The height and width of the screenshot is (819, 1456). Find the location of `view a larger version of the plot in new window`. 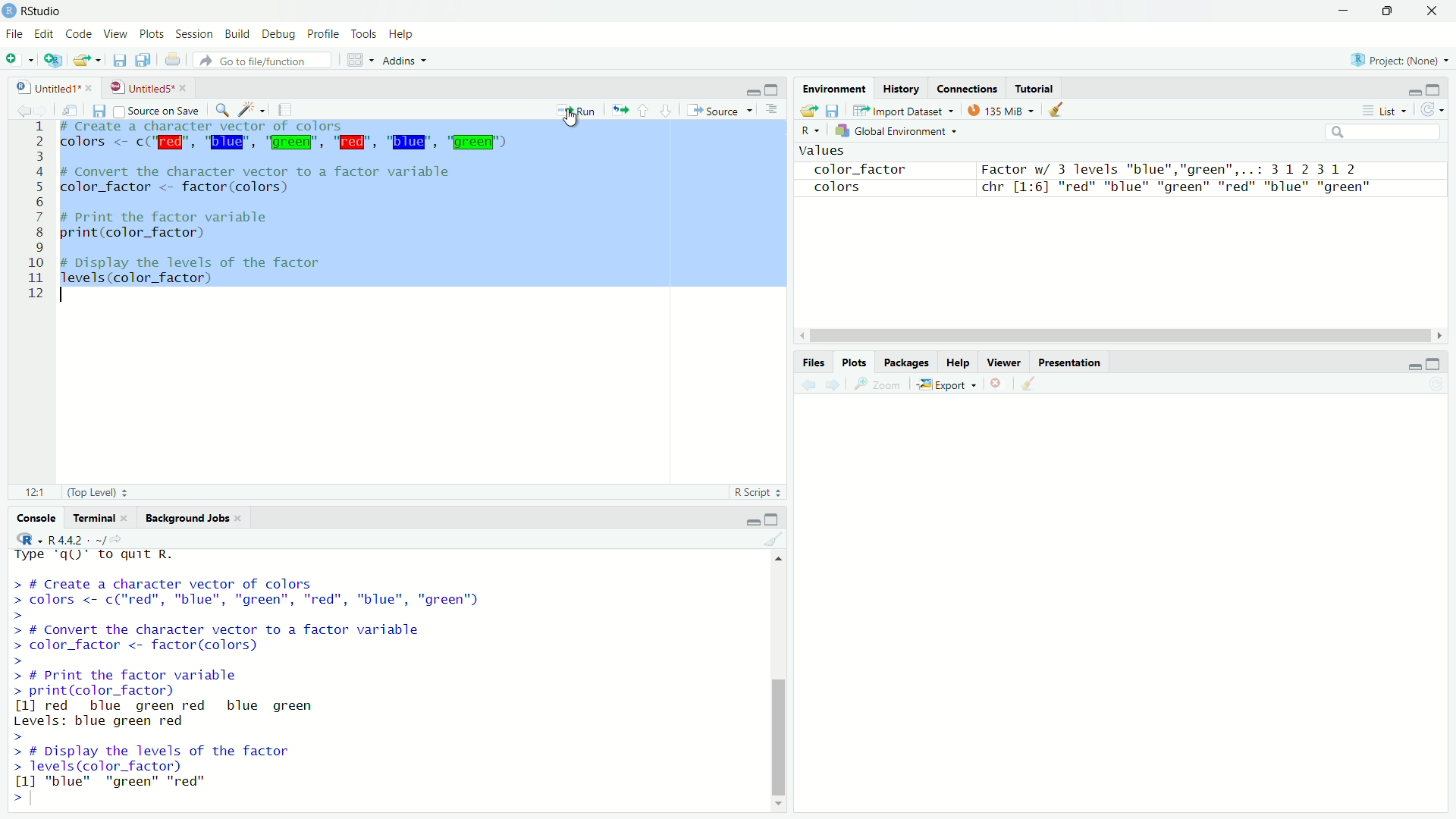

view a larger version of the plot in new window is located at coordinates (877, 385).